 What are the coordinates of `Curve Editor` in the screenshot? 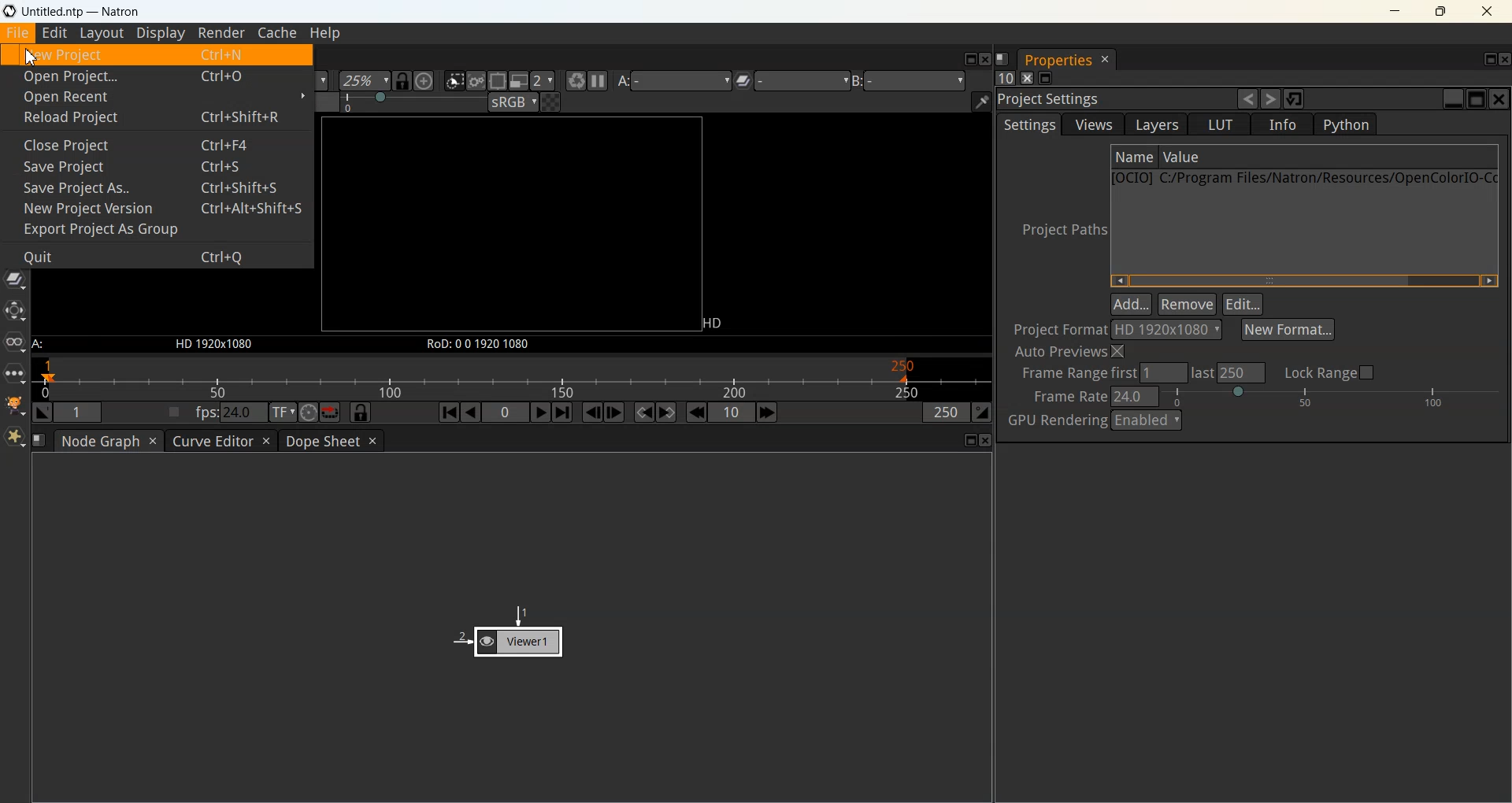 It's located at (211, 441).